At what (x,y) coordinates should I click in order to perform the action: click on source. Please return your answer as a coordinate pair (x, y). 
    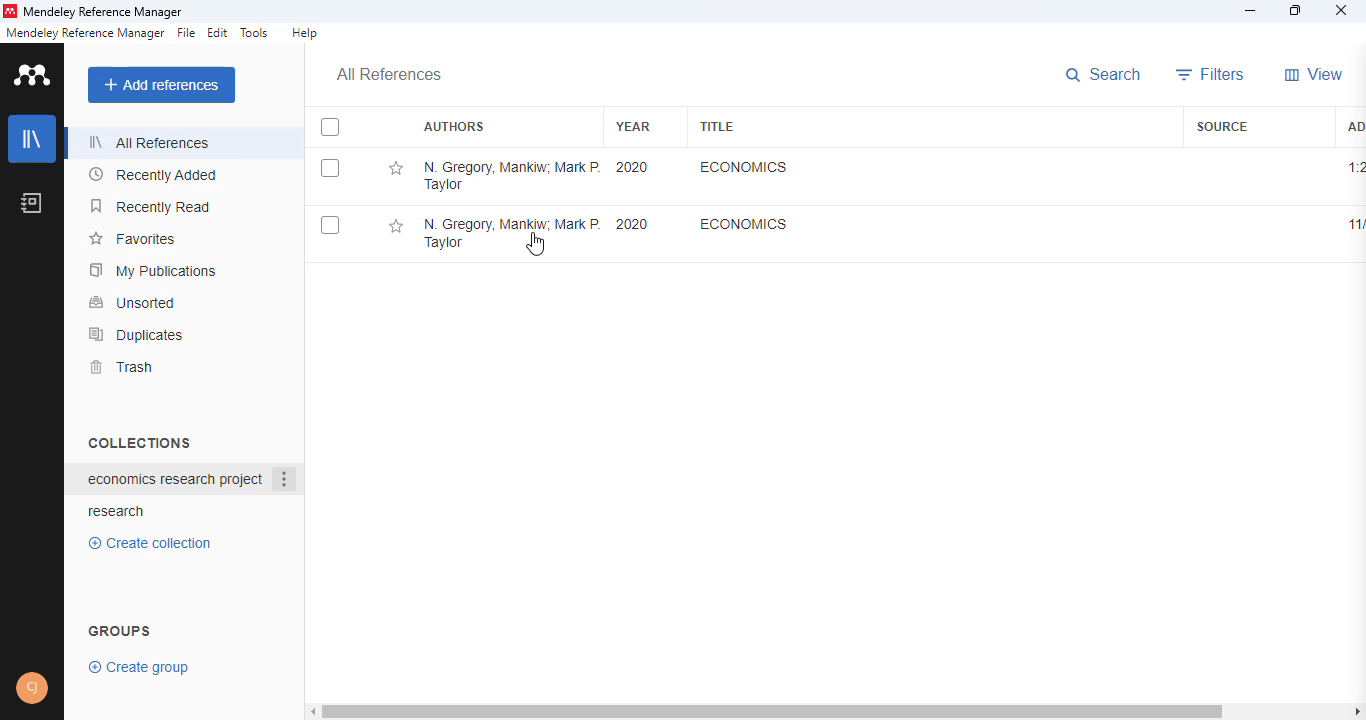
    Looking at the image, I should click on (1222, 126).